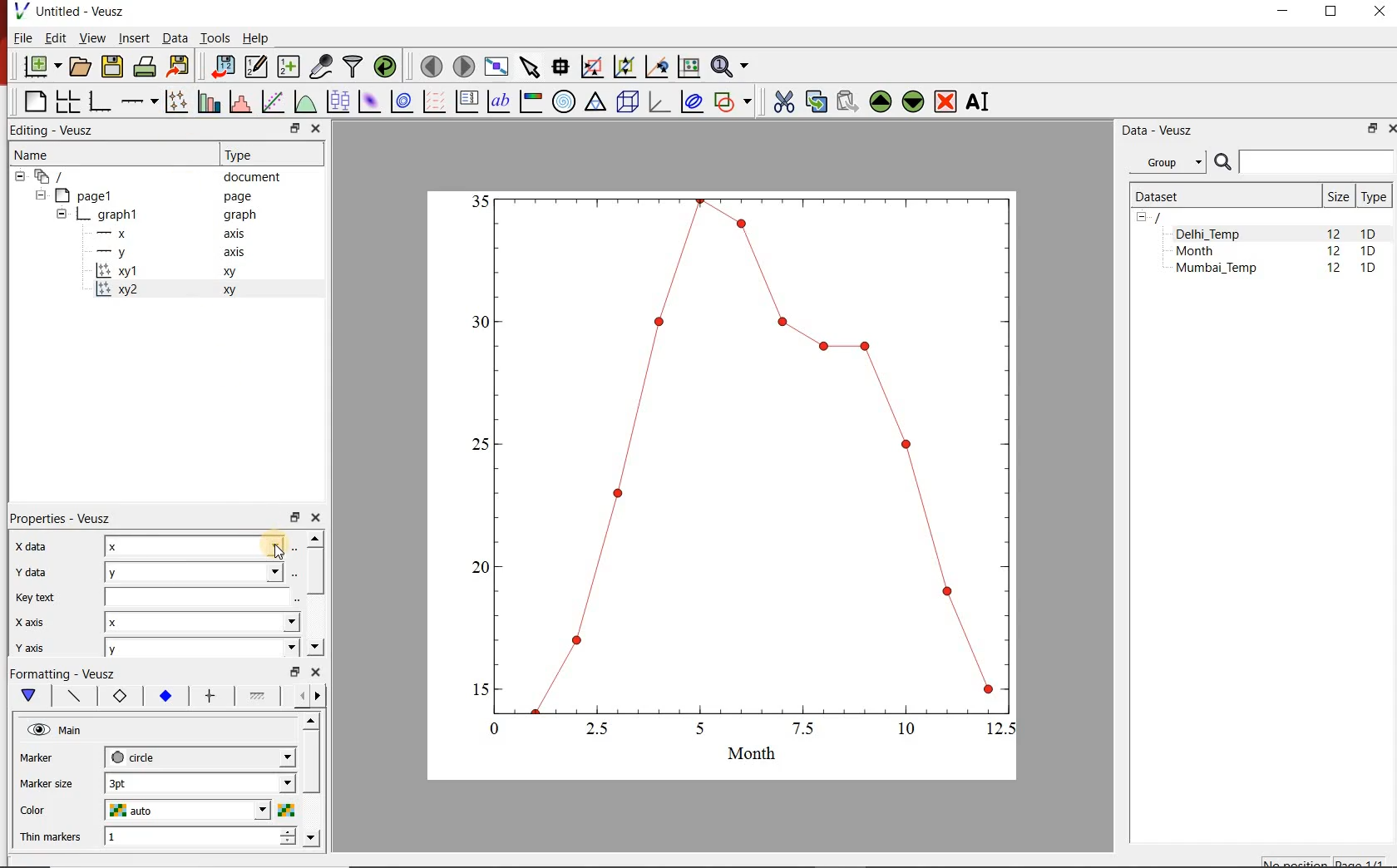 The image size is (1397, 868). Describe the element at coordinates (560, 67) in the screenshot. I see `read data points on the graph` at that location.